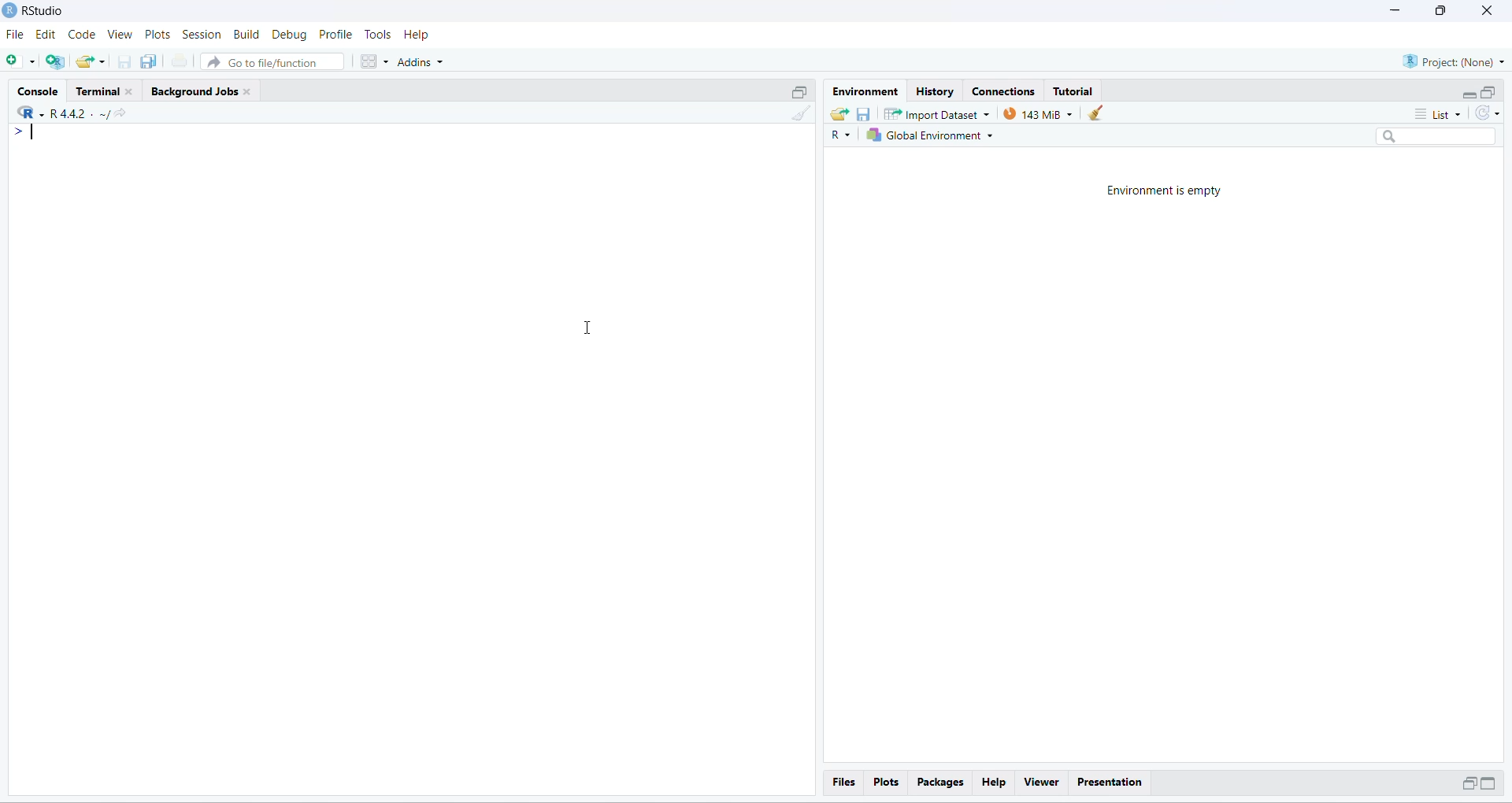 The height and width of the screenshot is (803, 1512). Describe the element at coordinates (802, 113) in the screenshot. I see `clean` at that location.